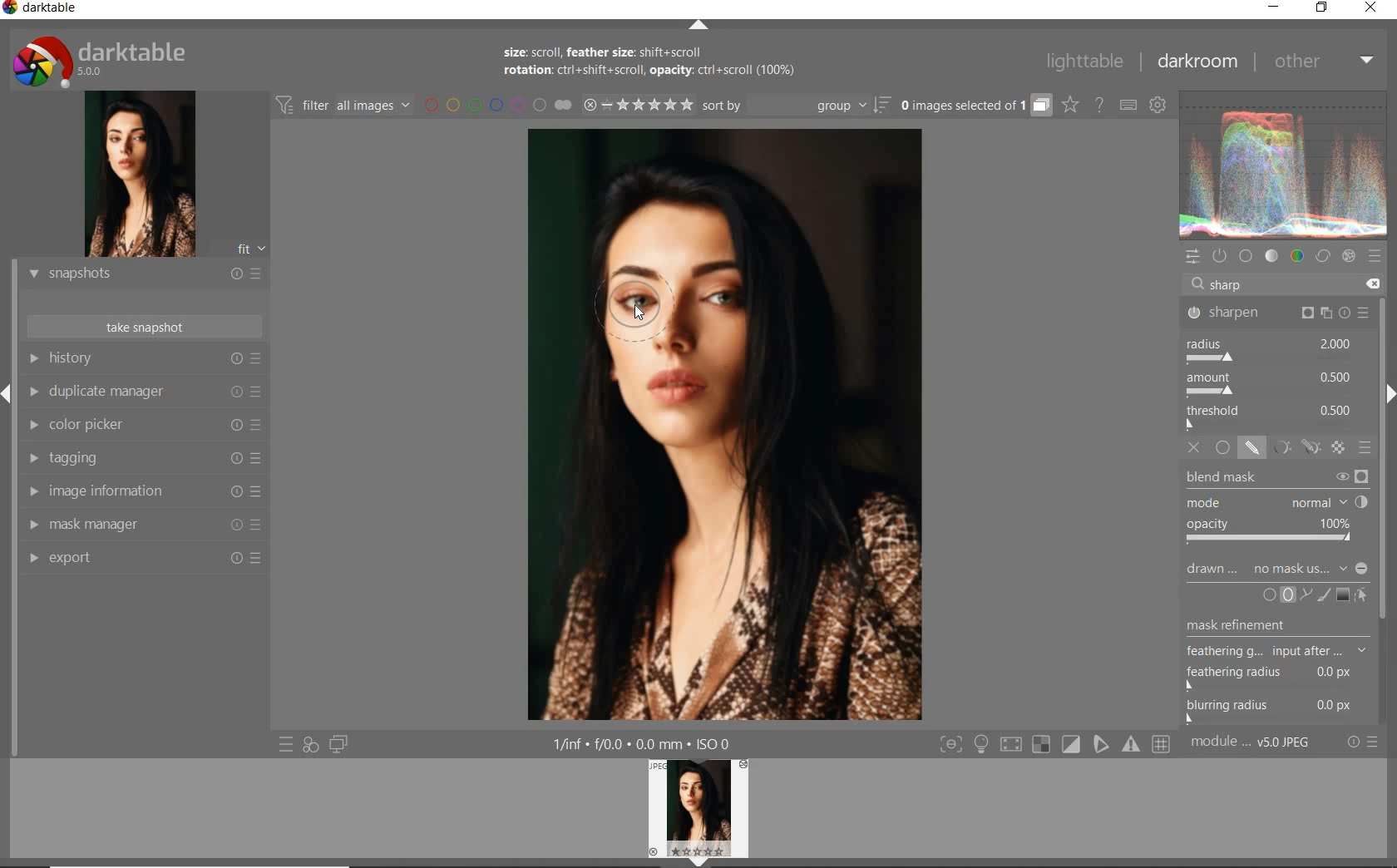 This screenshot has height=868, width=1397. What do you see at coordinates (1222, 448) in the screenshot?
I see `uniformly` at bounding box center [1222, 448].